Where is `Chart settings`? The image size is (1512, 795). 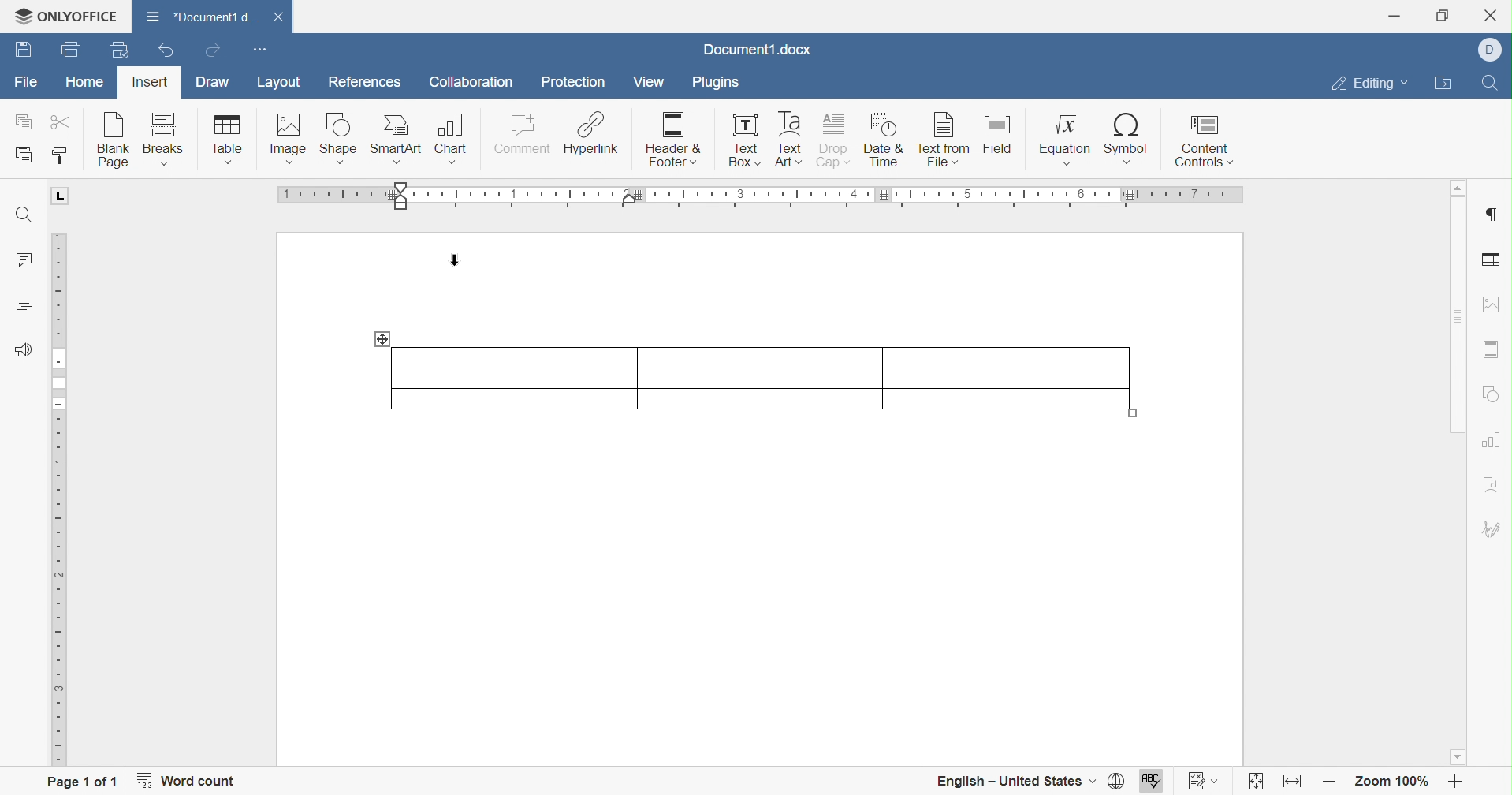 Chart settings is located at coordinates (1490, 439).